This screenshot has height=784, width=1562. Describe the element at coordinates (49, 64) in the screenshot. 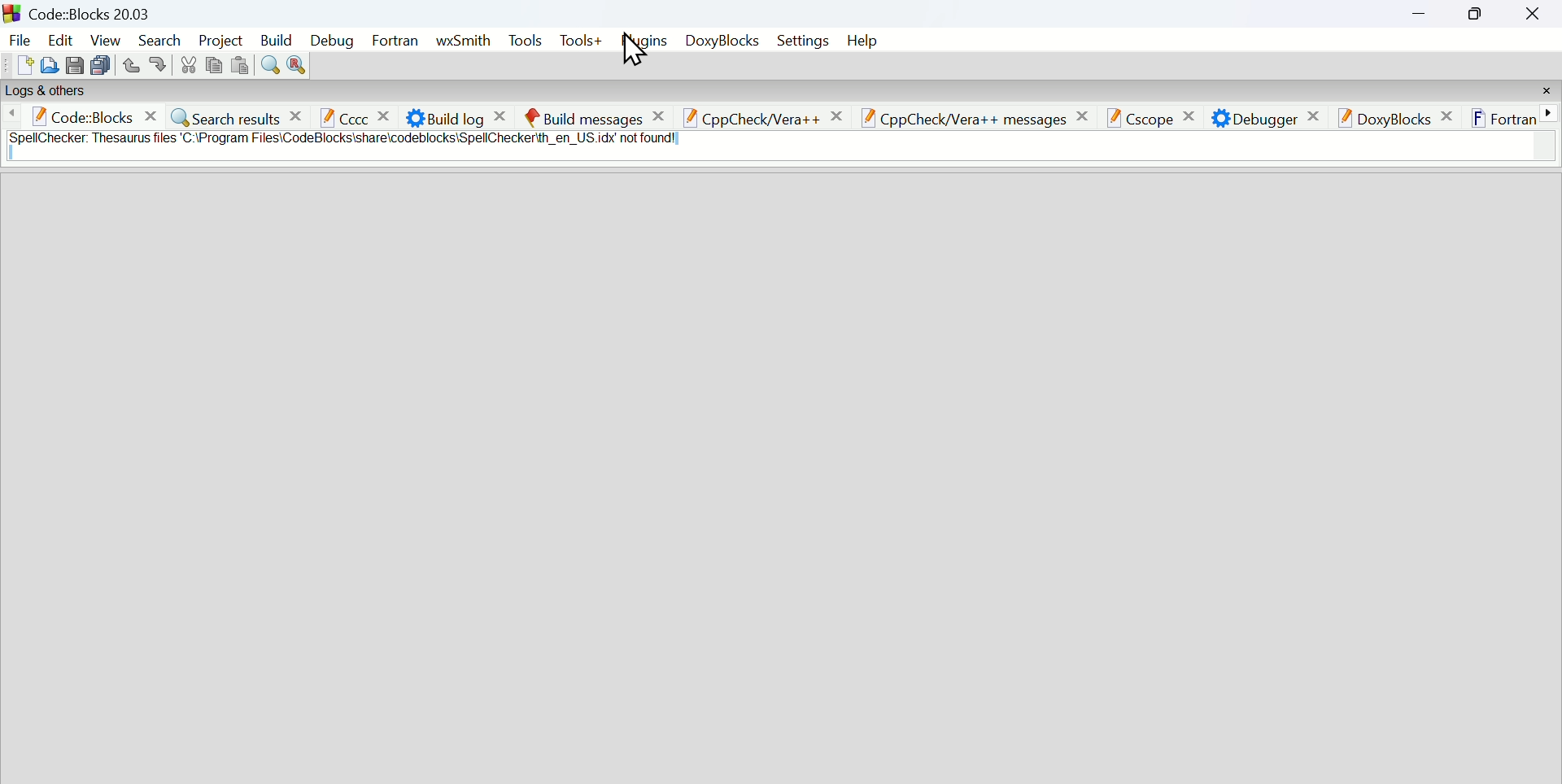

I see `open file` at that location.